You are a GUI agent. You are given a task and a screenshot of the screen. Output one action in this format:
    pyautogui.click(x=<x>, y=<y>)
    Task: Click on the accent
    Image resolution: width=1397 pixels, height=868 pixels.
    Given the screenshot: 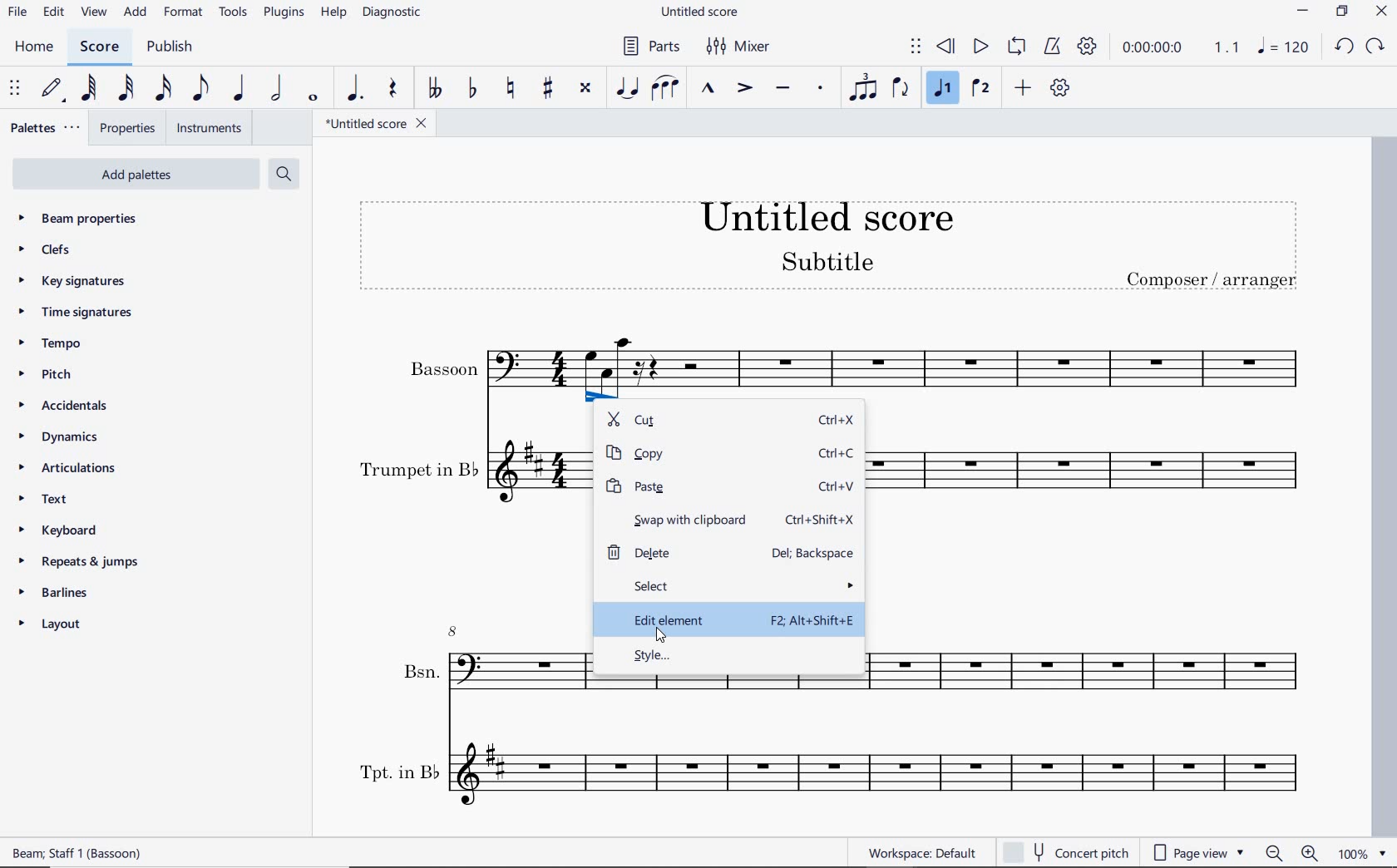 What is the action you would take?
    pyautogui.click(x=744, y=88)
    